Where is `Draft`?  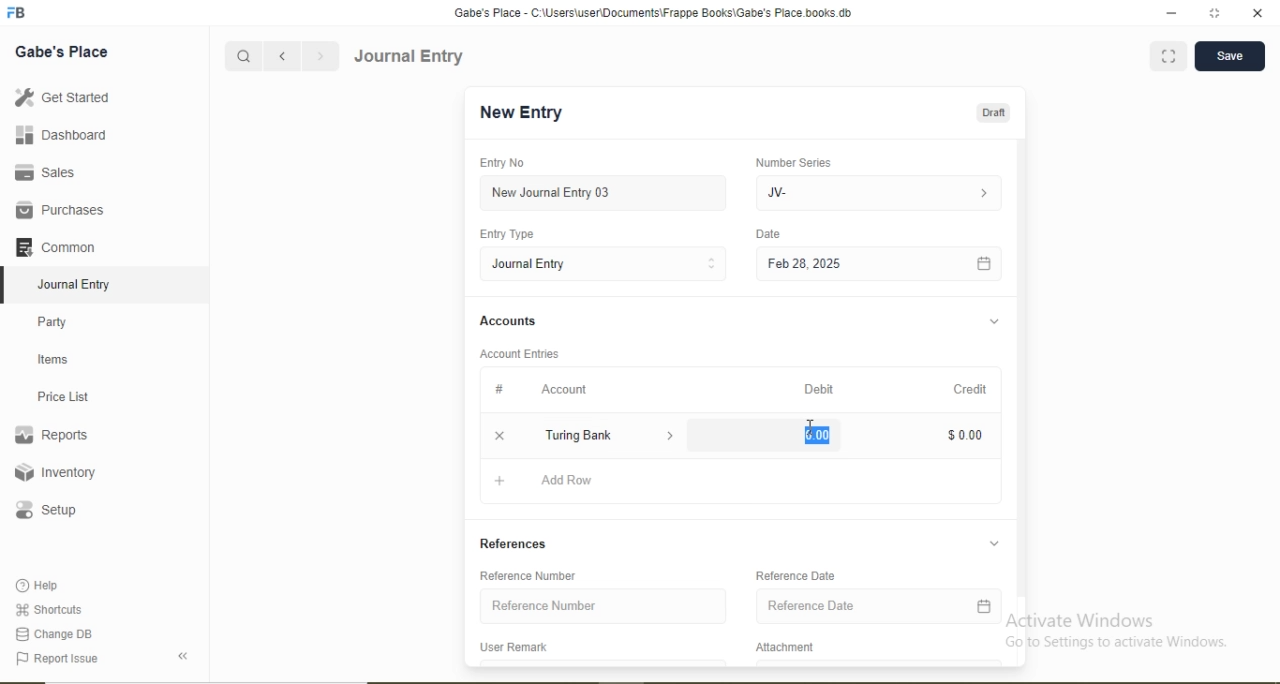
Draft is located at coordinates (993, 114).